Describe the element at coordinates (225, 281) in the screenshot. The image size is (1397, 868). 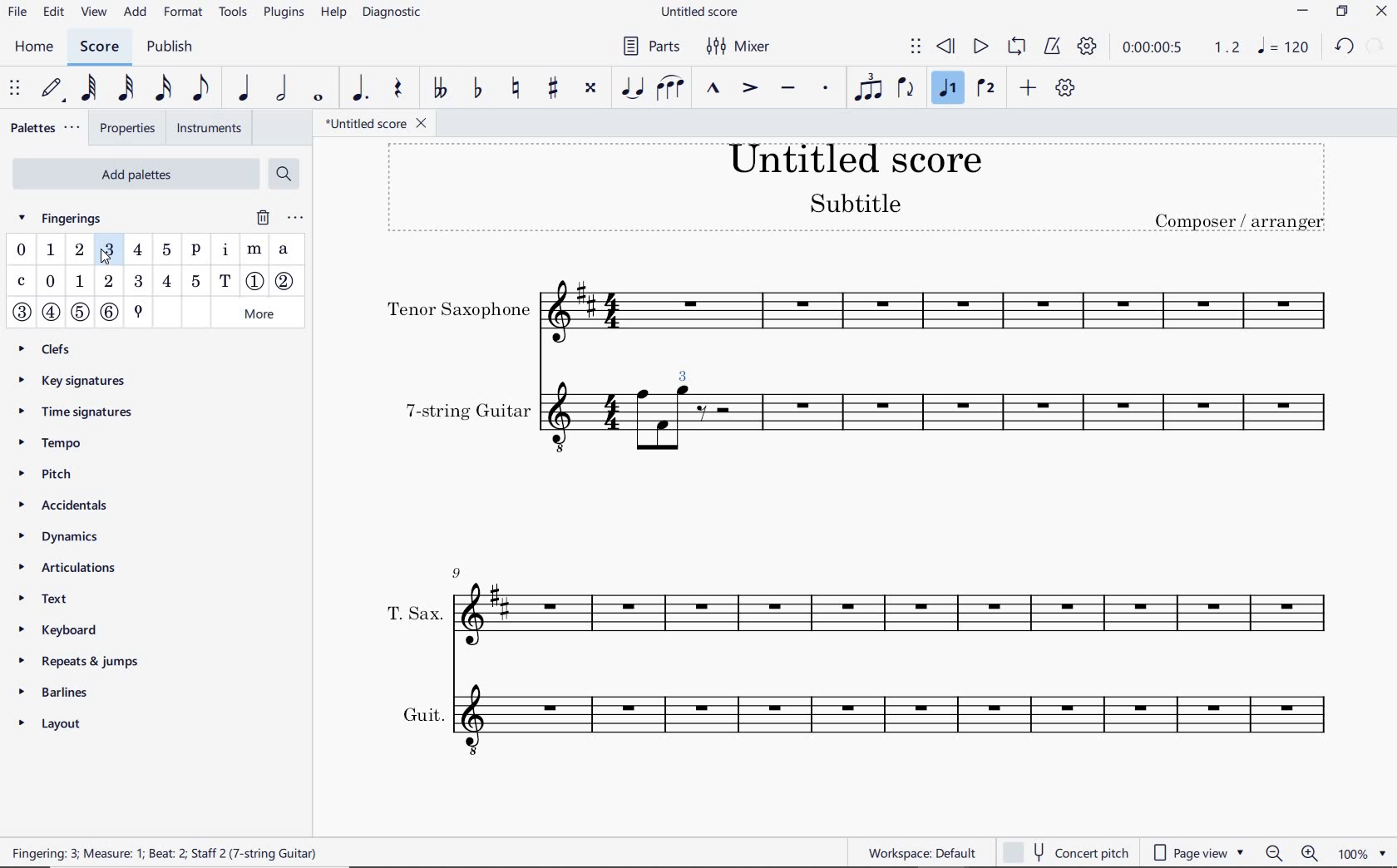
I see `LH Guitar Fingering T` at that location.